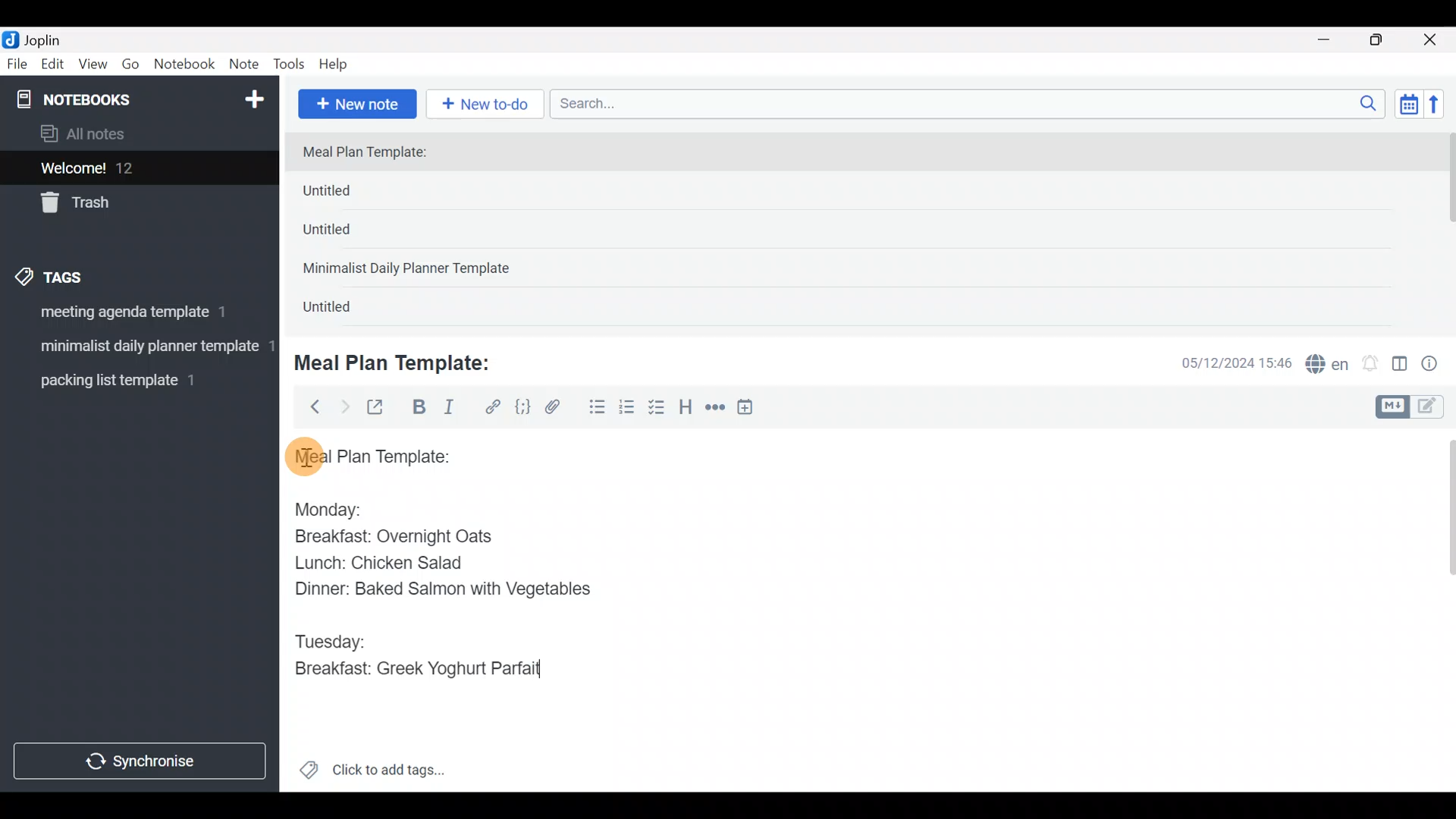 The image size is (1456, 819). Describe the element at coordinates (139, 348) in the screenshot. I see `Tag 2` at that location.